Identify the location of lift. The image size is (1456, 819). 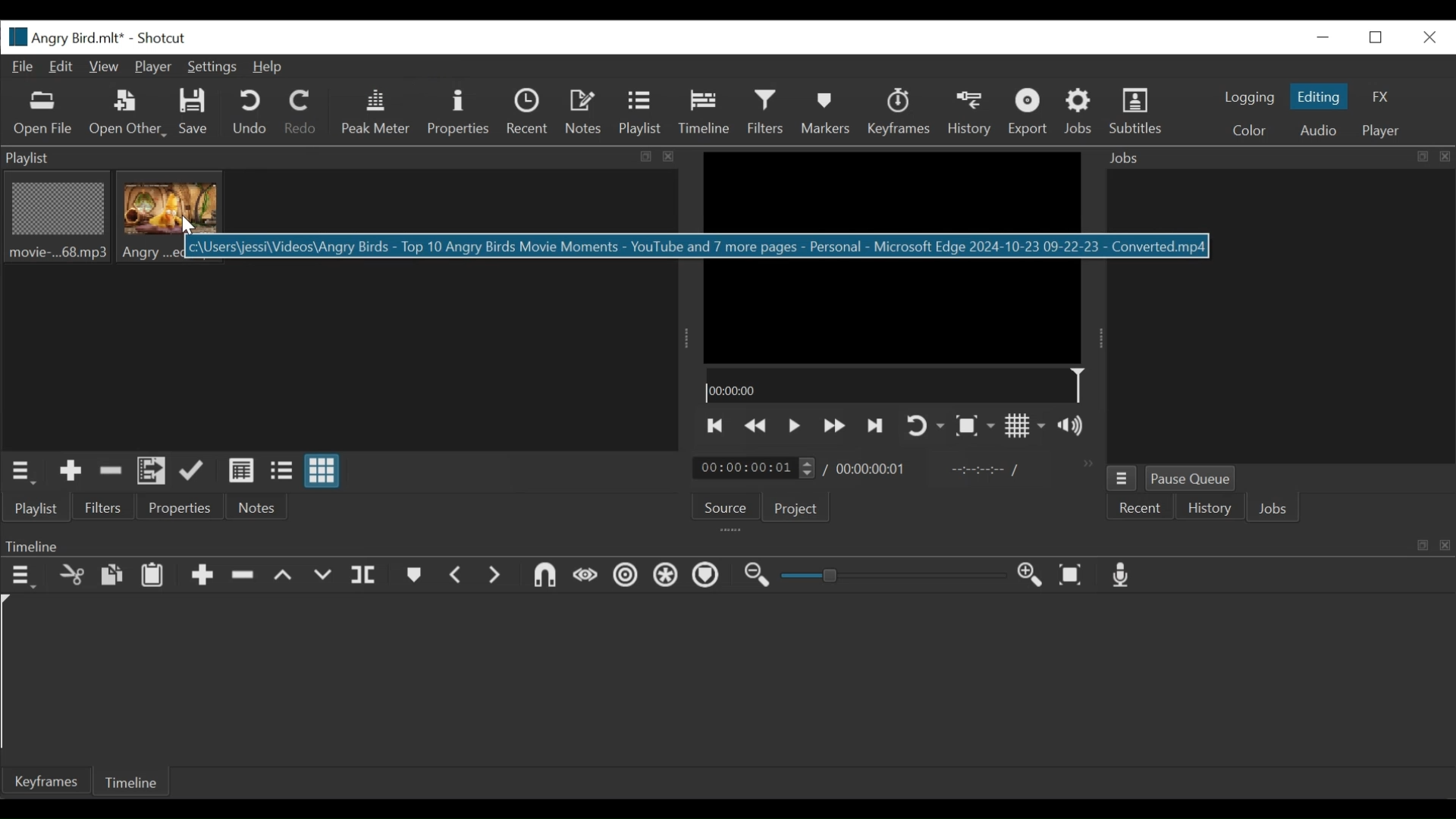
(284, 576).